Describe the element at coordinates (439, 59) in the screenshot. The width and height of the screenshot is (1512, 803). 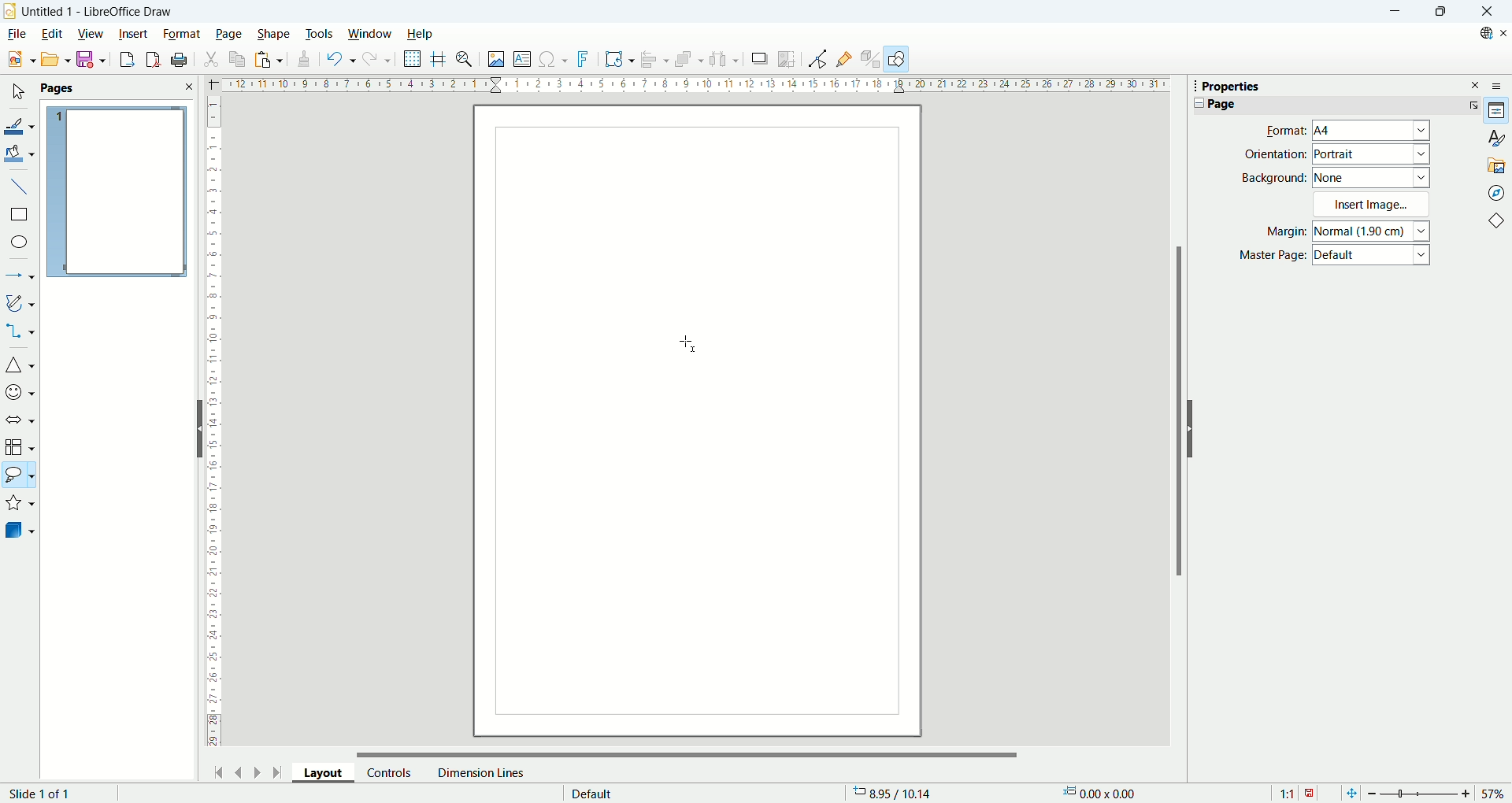
I see `helpline` at that location.